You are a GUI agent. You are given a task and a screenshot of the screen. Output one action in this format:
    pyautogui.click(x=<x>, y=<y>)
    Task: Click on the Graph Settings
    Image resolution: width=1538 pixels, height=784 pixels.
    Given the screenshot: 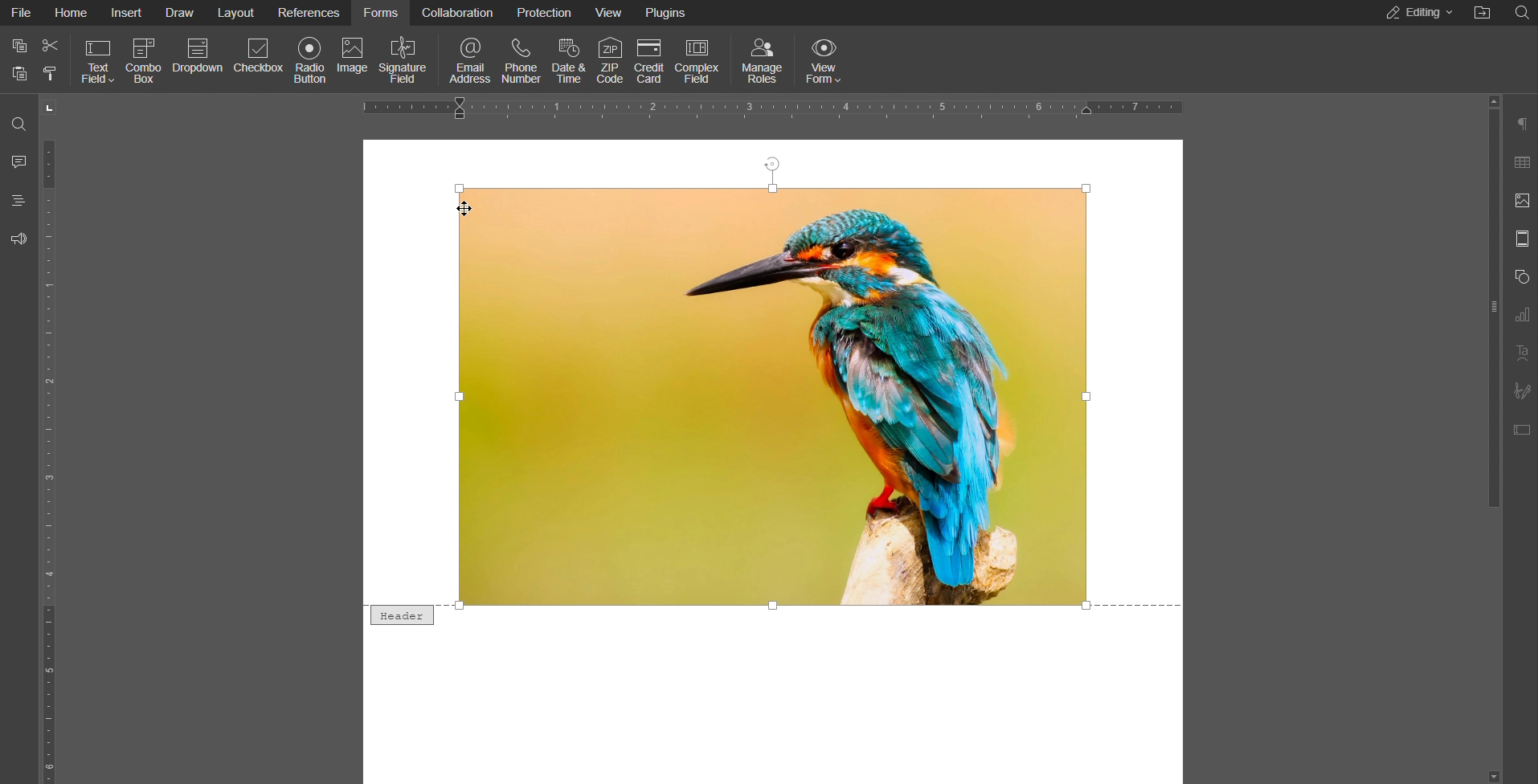 What is the action you would take?
    pyautogui.click(x=1517, y=315)
    